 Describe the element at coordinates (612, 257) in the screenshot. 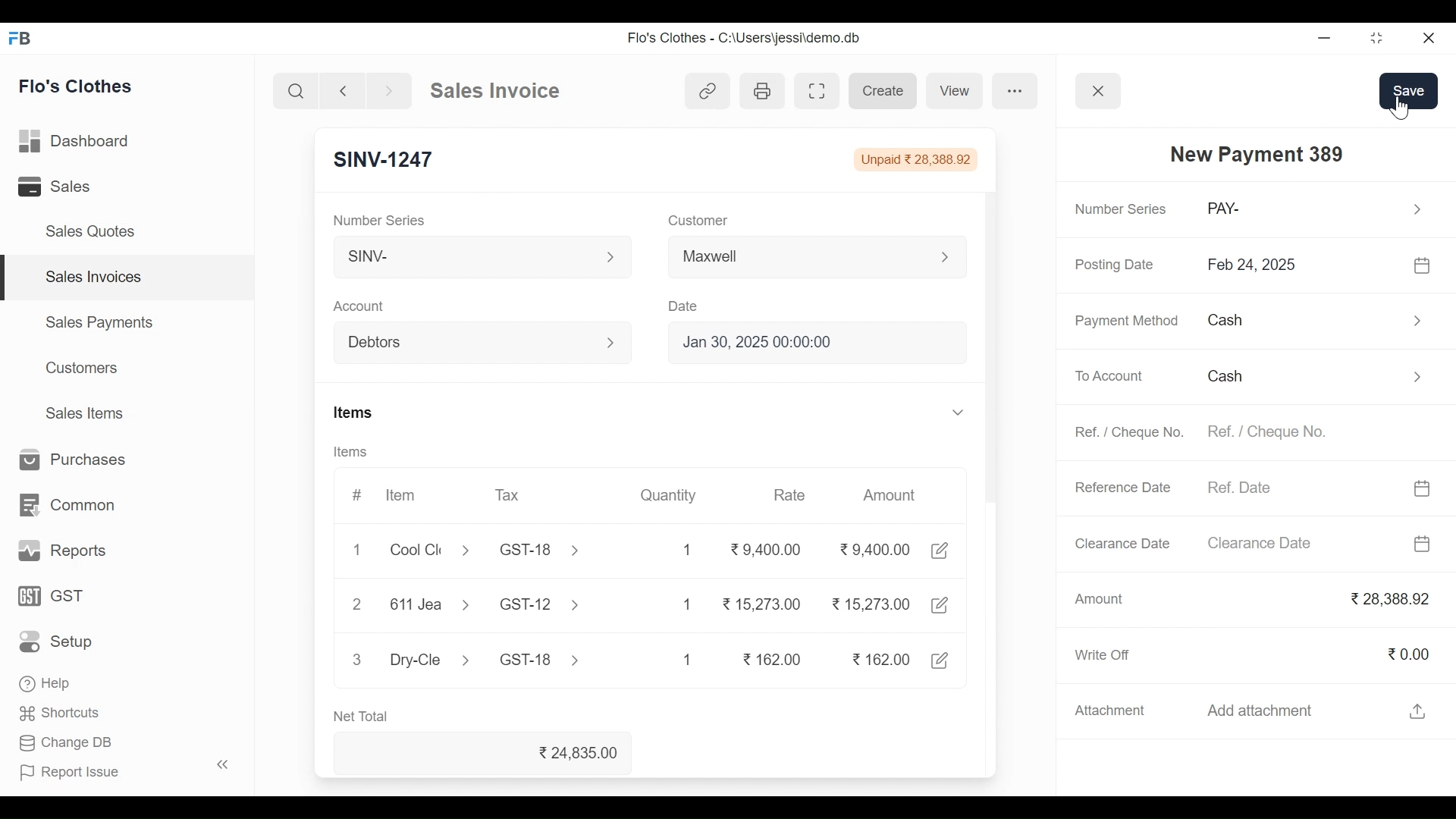

I see `Expand` at that location.